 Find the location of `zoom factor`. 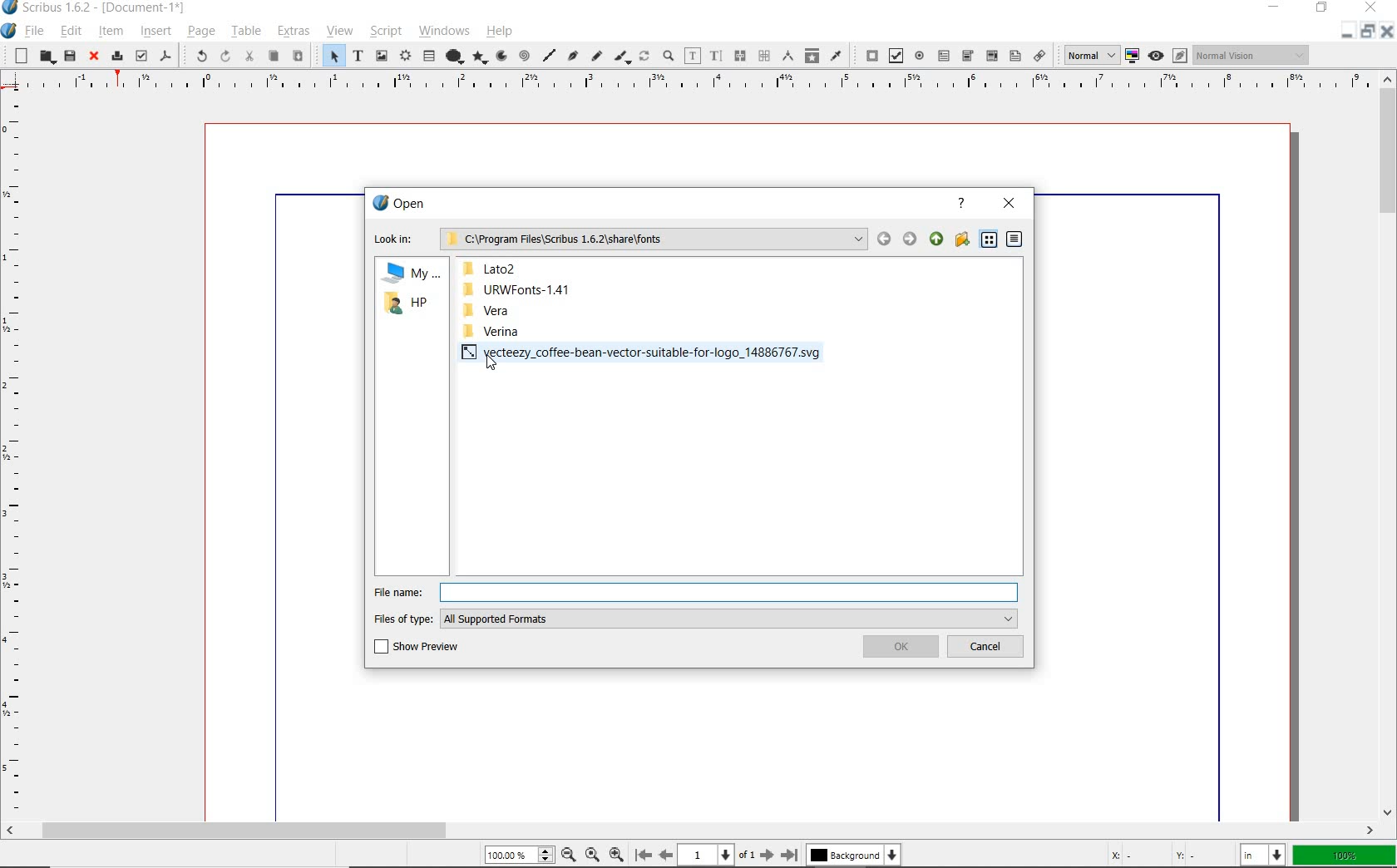

zoom factor is located at coordinates (1345, 857).